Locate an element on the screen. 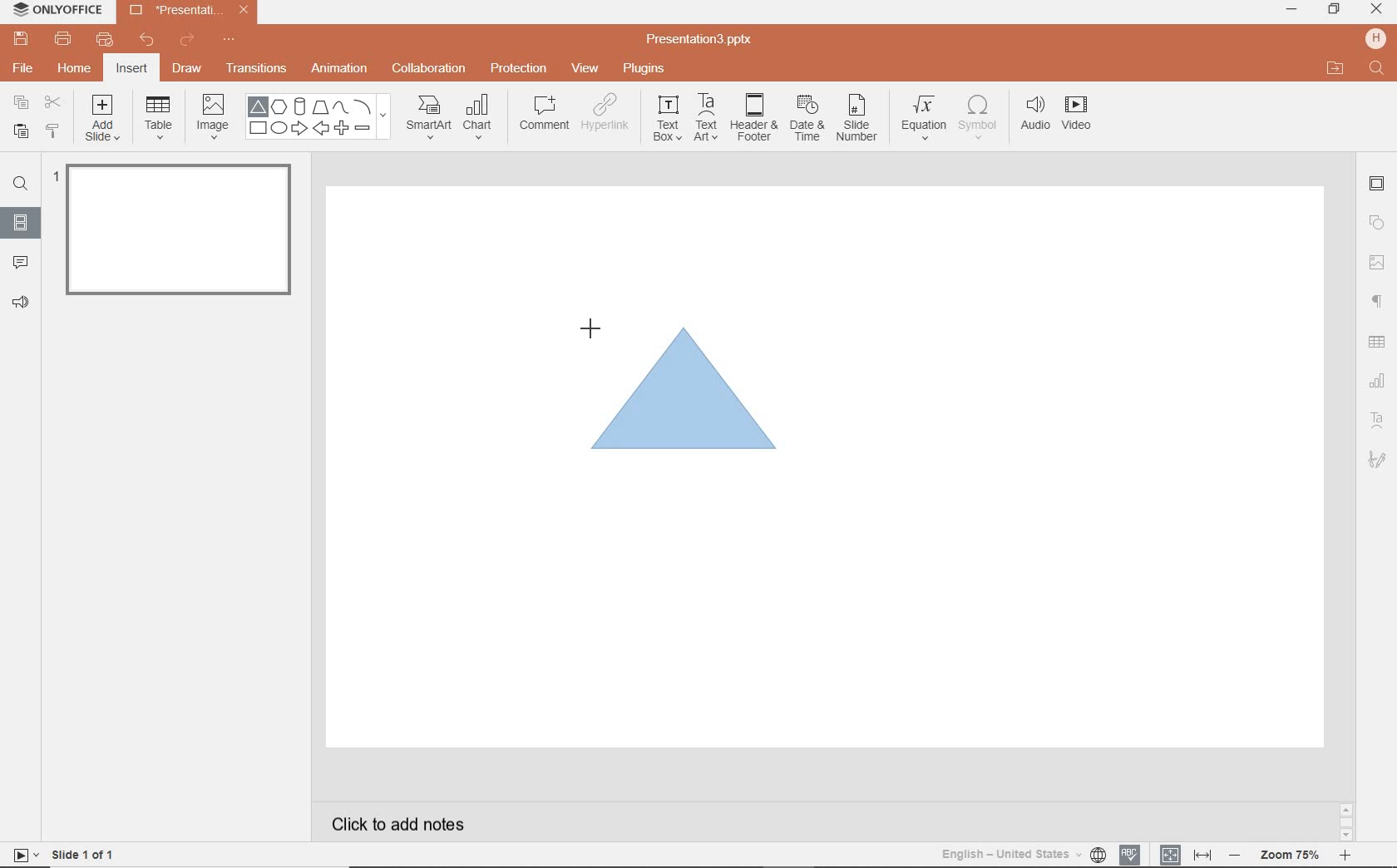 This screenshot has width=1397, height=868. HP is located at coordinates (1377, 38).